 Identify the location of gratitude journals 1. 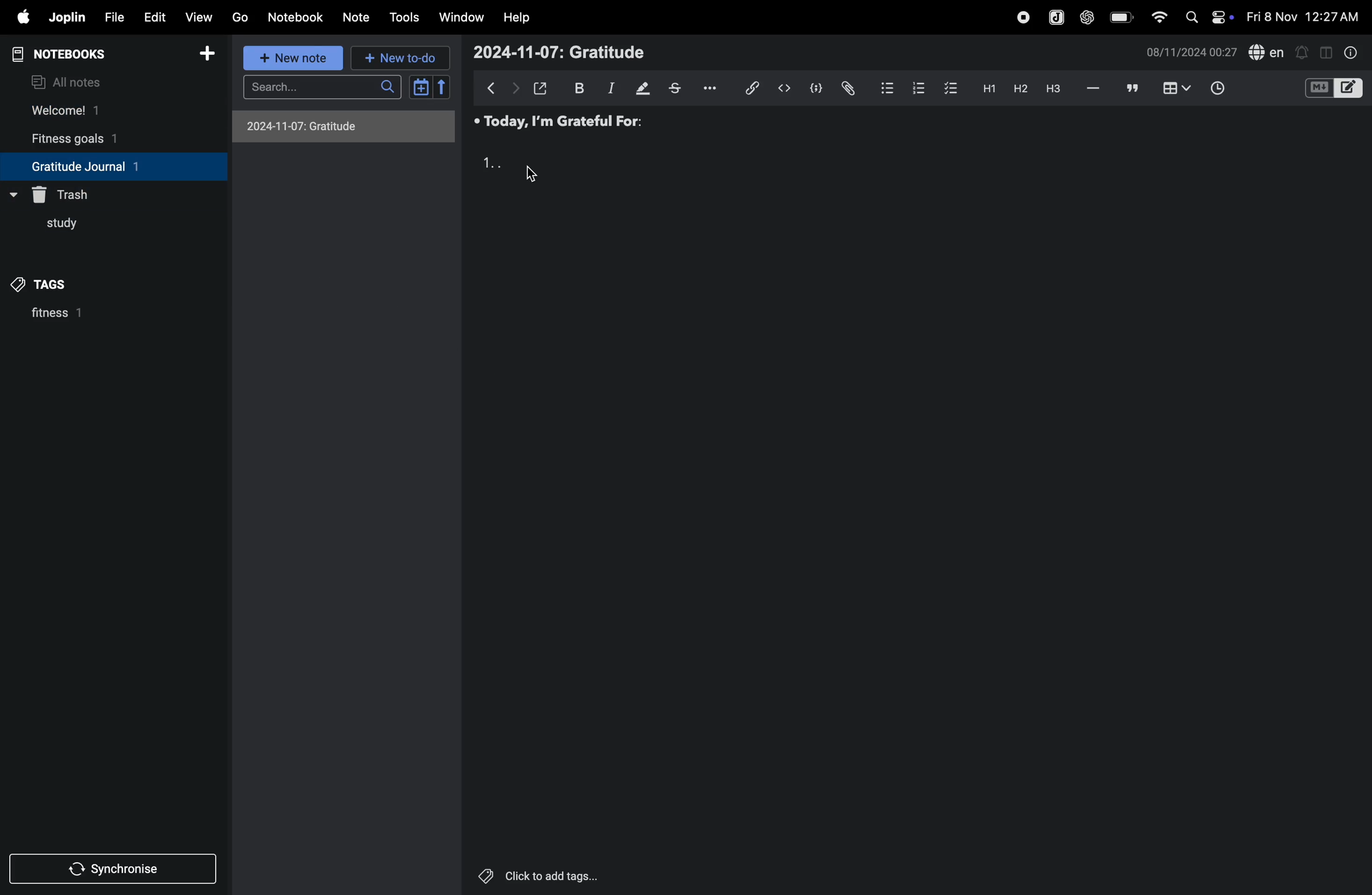
(103, 166).